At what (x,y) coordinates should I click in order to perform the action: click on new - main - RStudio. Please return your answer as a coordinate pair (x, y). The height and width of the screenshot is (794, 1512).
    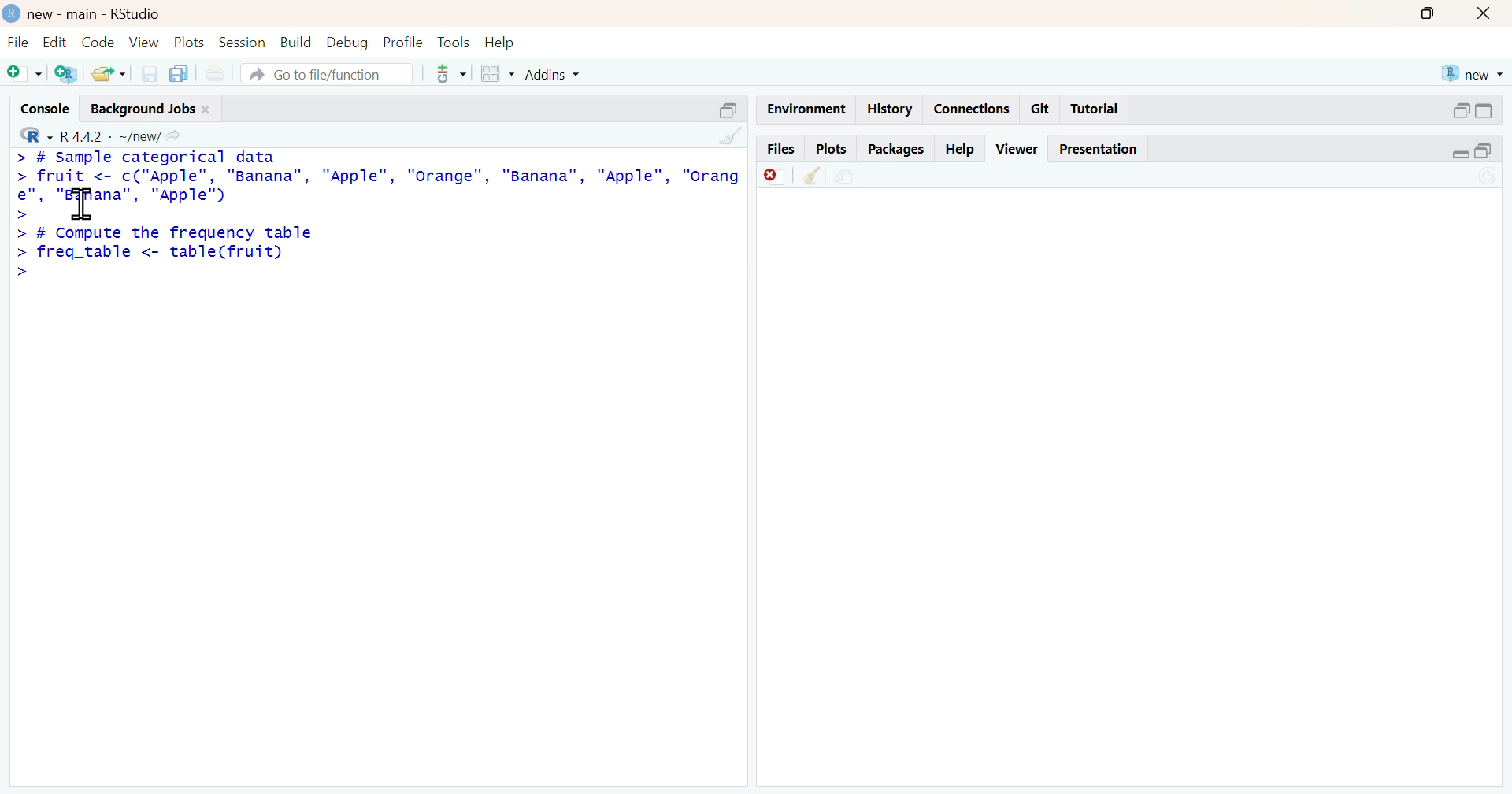
    Looking at the image, I should click on (83, 14).